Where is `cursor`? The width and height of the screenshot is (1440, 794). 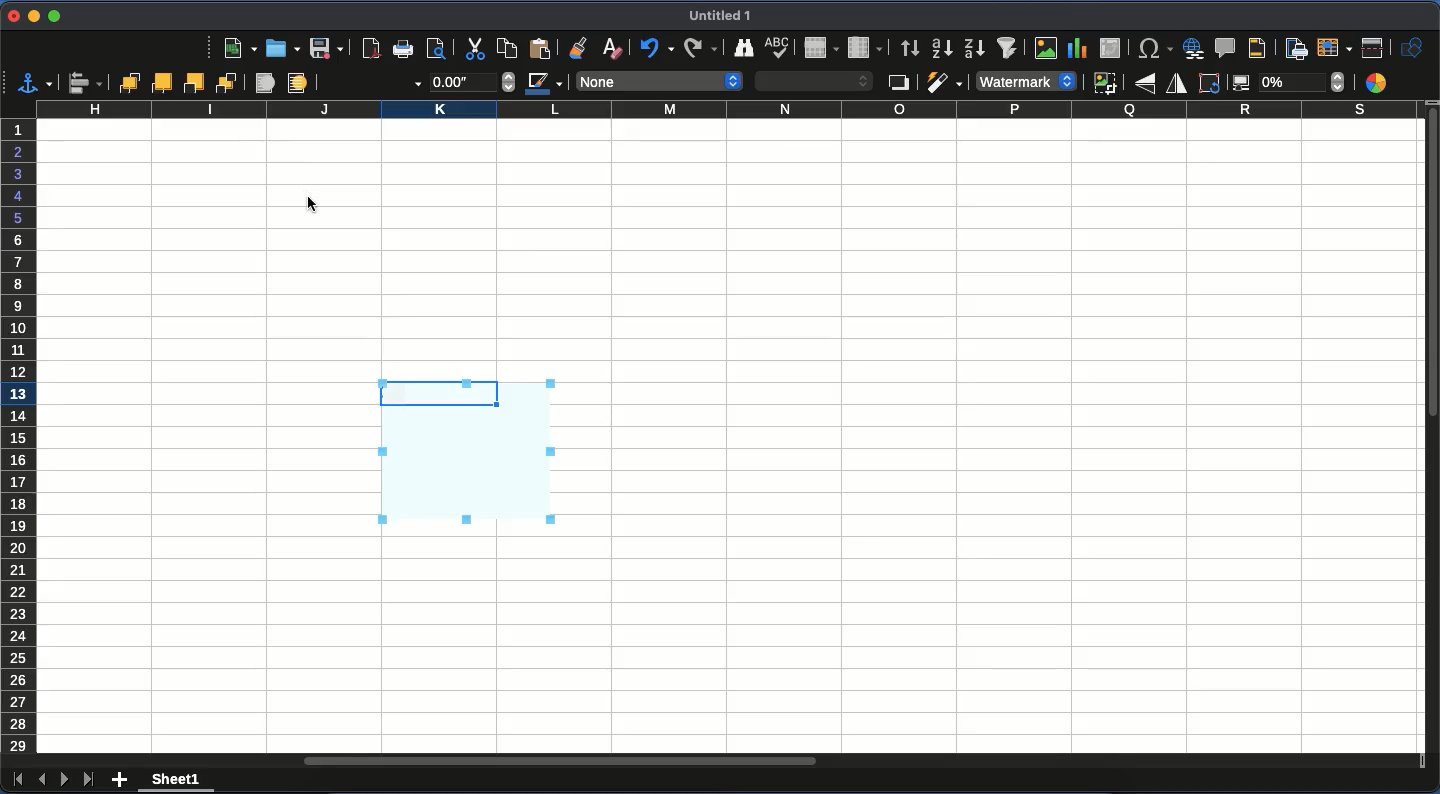 cursor is located at coordinates (316, 208).